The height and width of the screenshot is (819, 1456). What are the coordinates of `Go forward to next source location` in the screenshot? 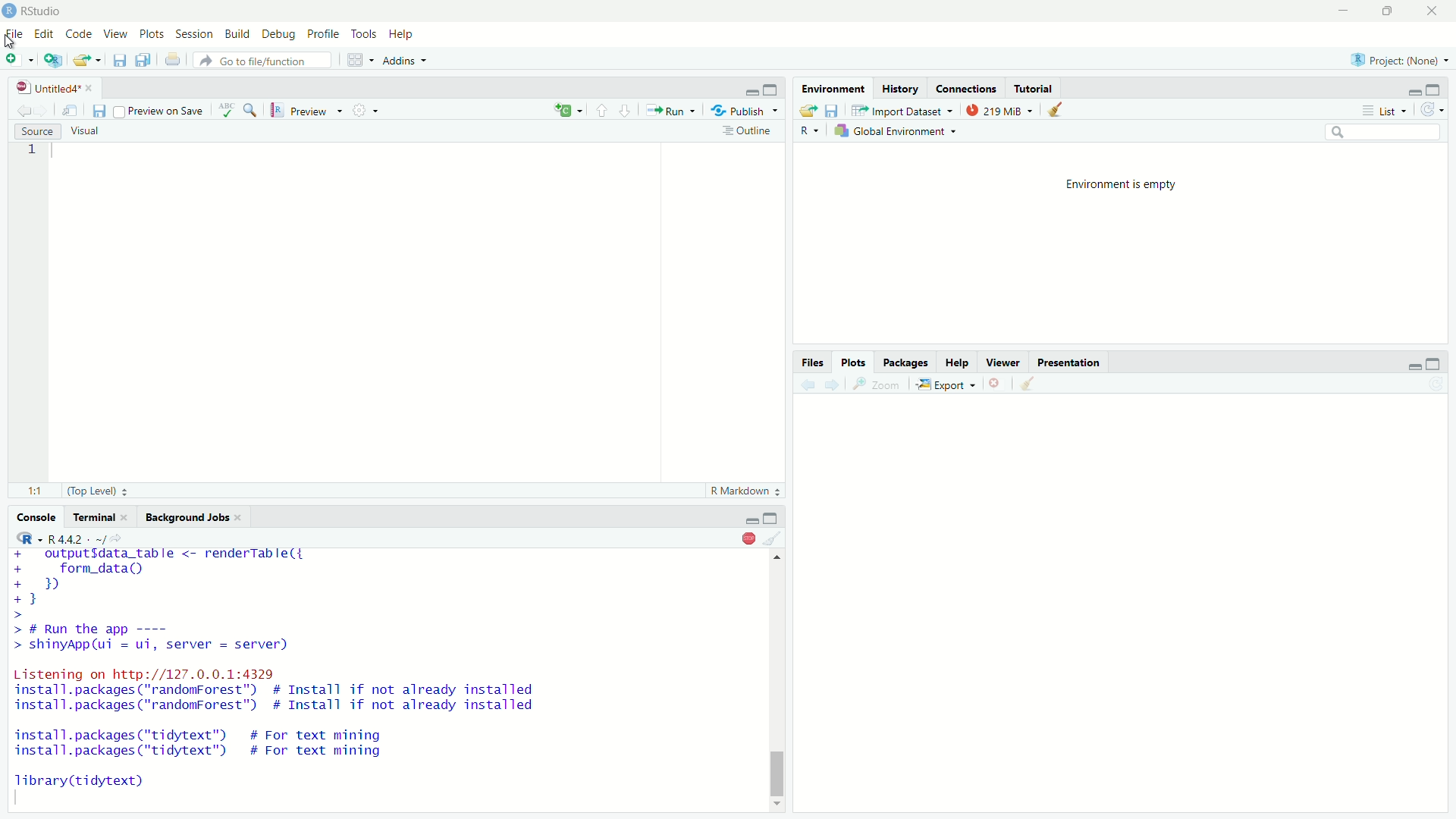 It's located at (44, 109).